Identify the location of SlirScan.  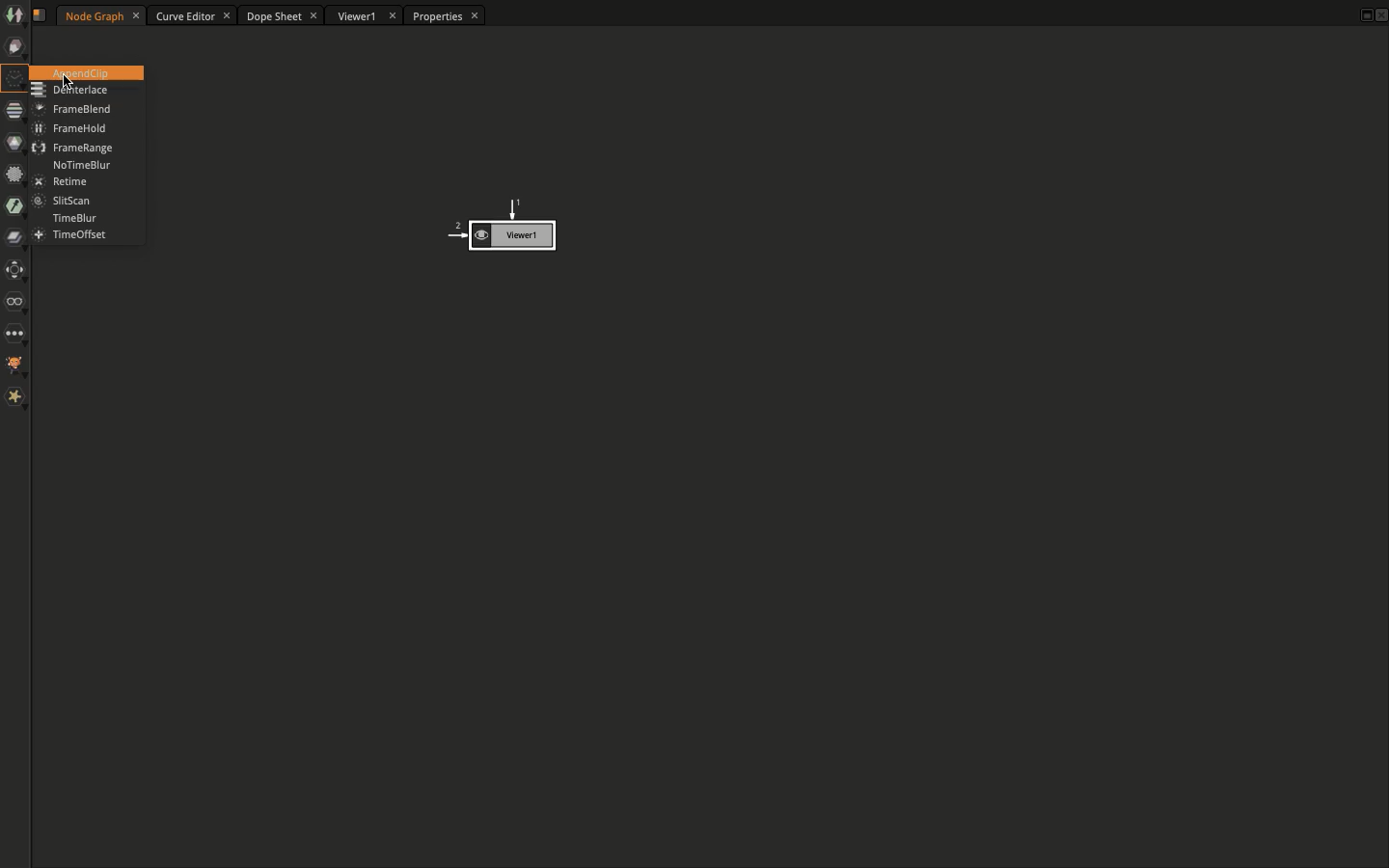
(66, 200).